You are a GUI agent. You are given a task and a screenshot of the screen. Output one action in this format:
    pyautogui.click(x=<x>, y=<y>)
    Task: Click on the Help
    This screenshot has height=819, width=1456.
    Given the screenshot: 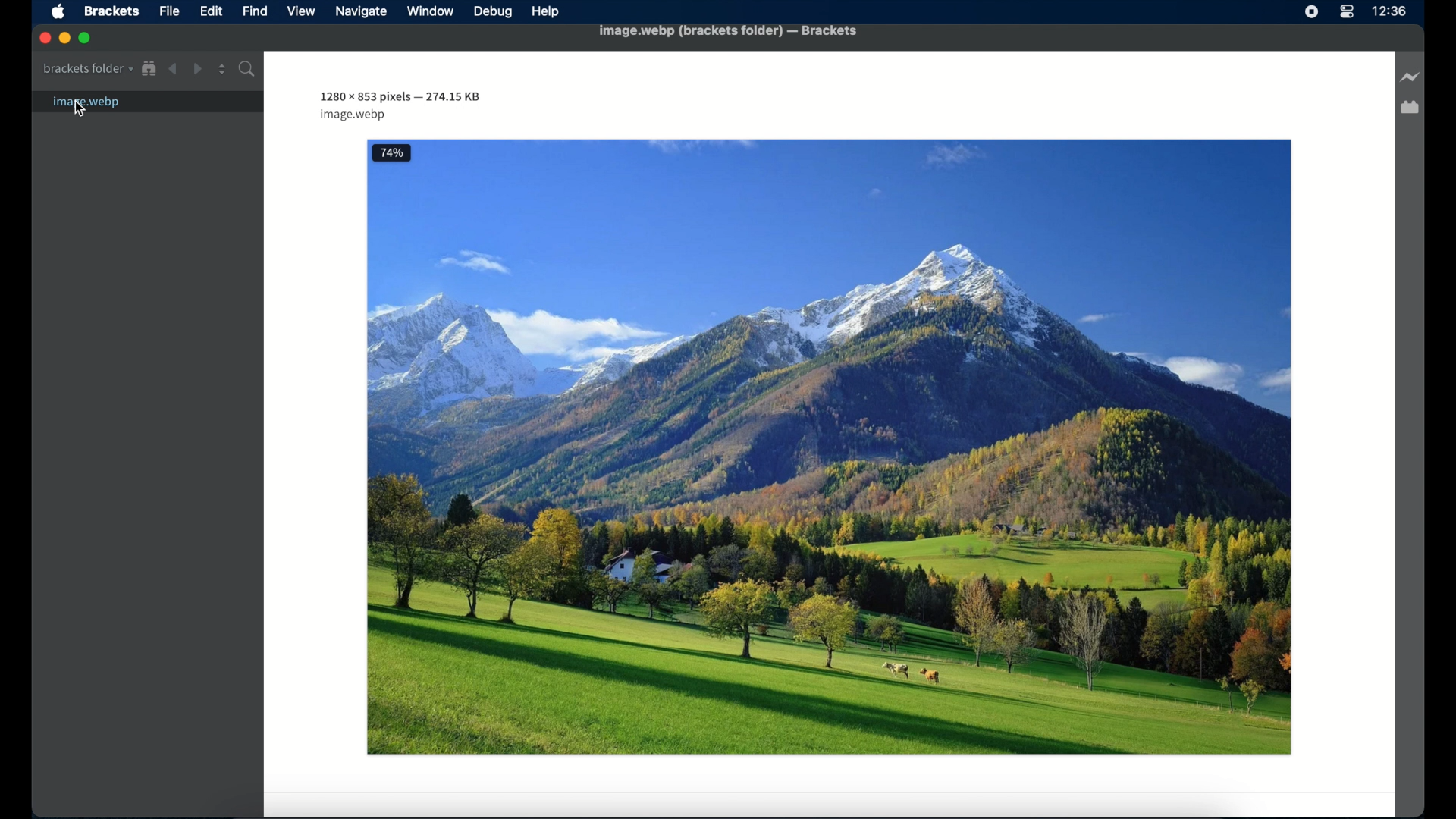 What is the action you would take?
    pyautogui.click(x=548, y=11)
    